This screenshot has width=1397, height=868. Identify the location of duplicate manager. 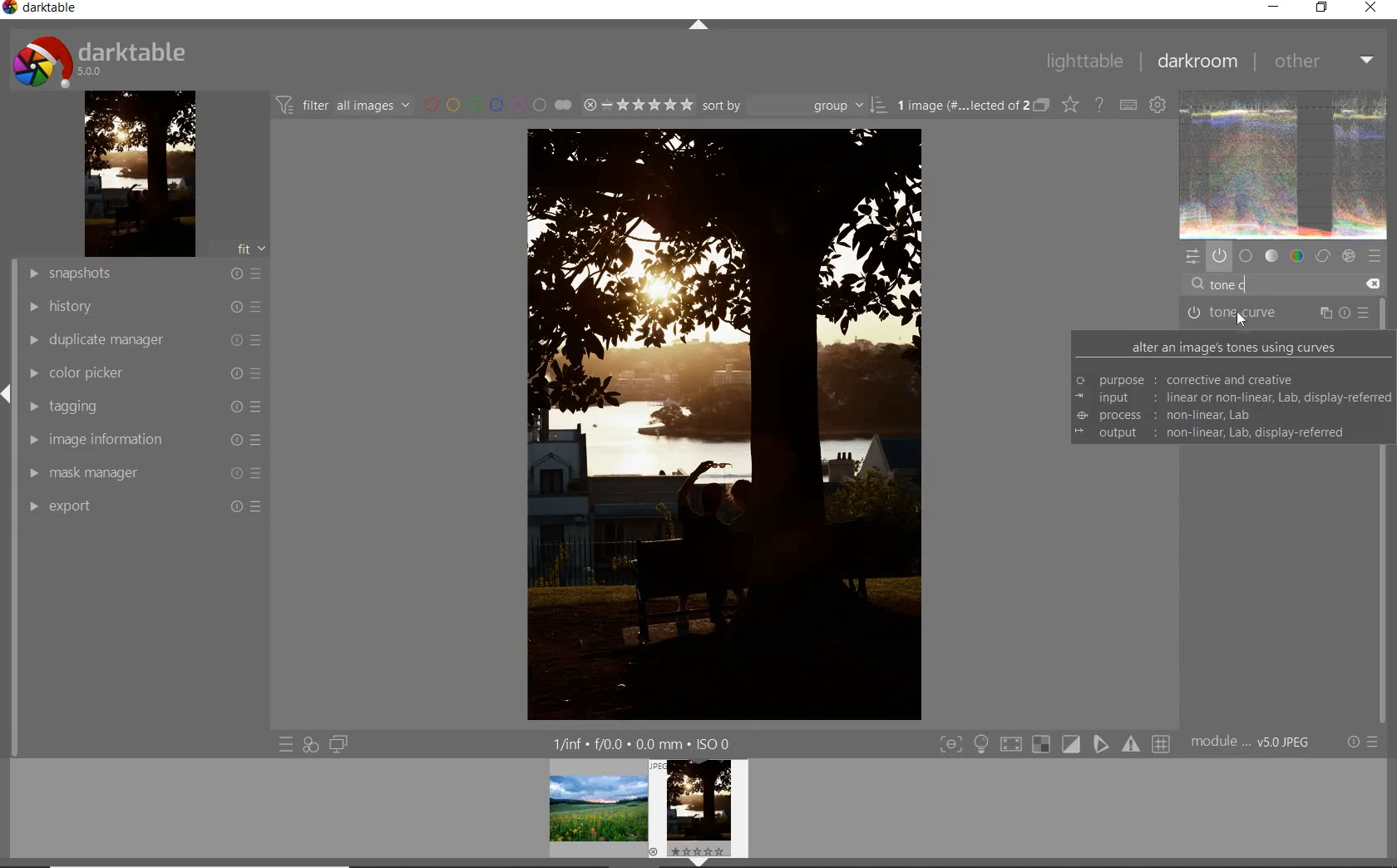
(137, 340).